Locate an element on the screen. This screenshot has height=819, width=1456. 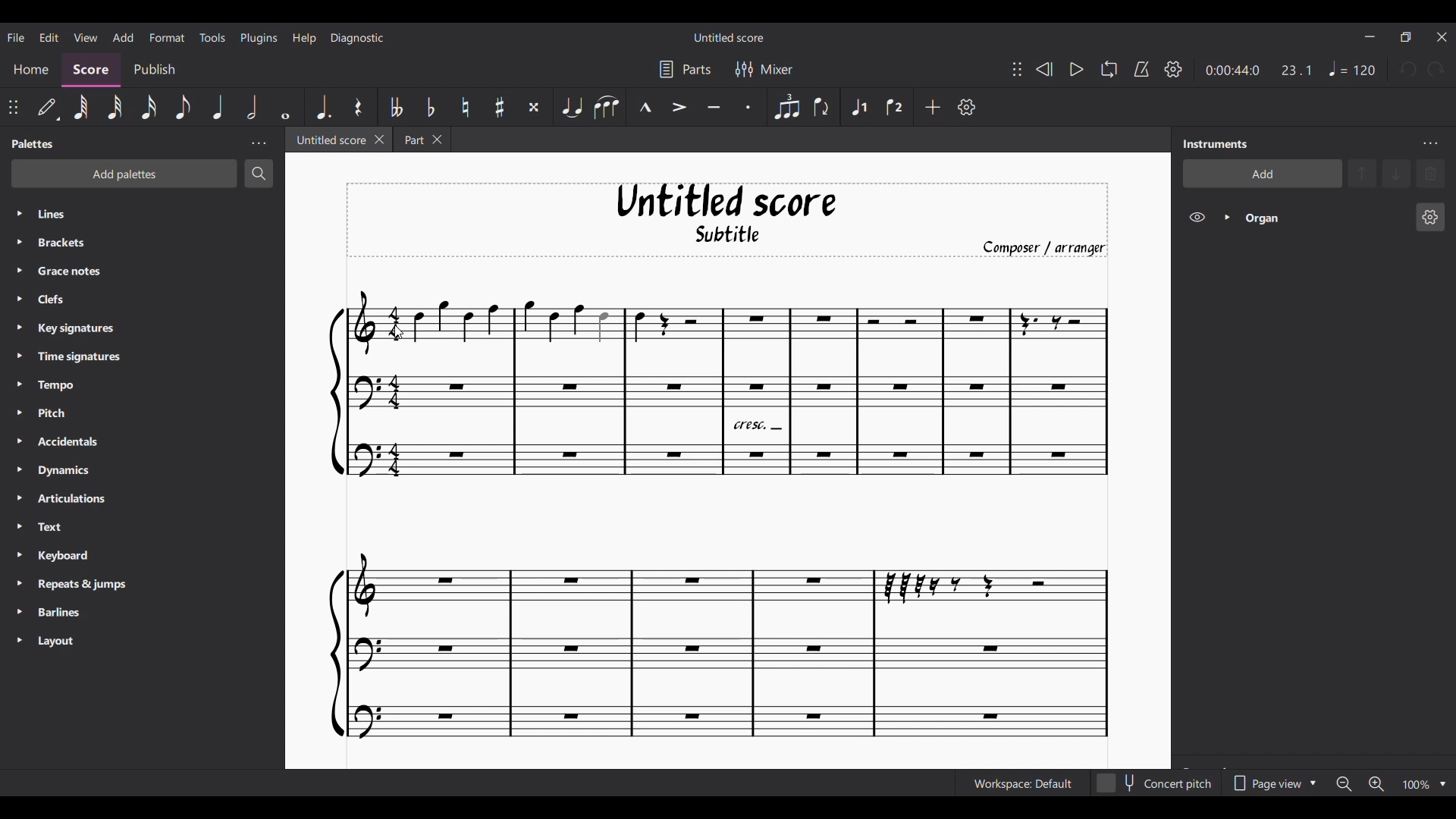
Palette panel settings is located at coordinates (259, 144).